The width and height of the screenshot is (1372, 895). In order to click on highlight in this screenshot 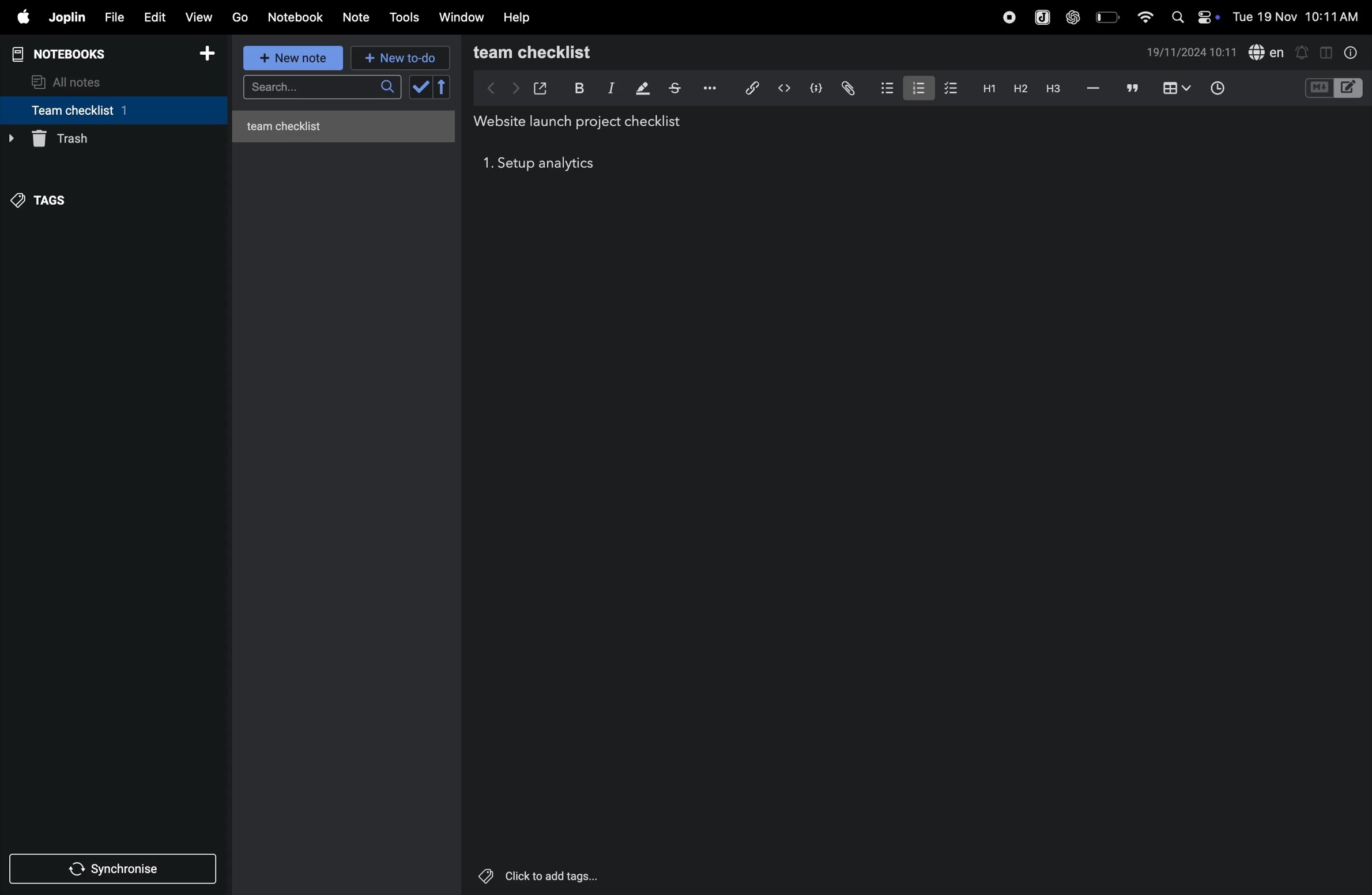, I will do `click(641, 89)`.